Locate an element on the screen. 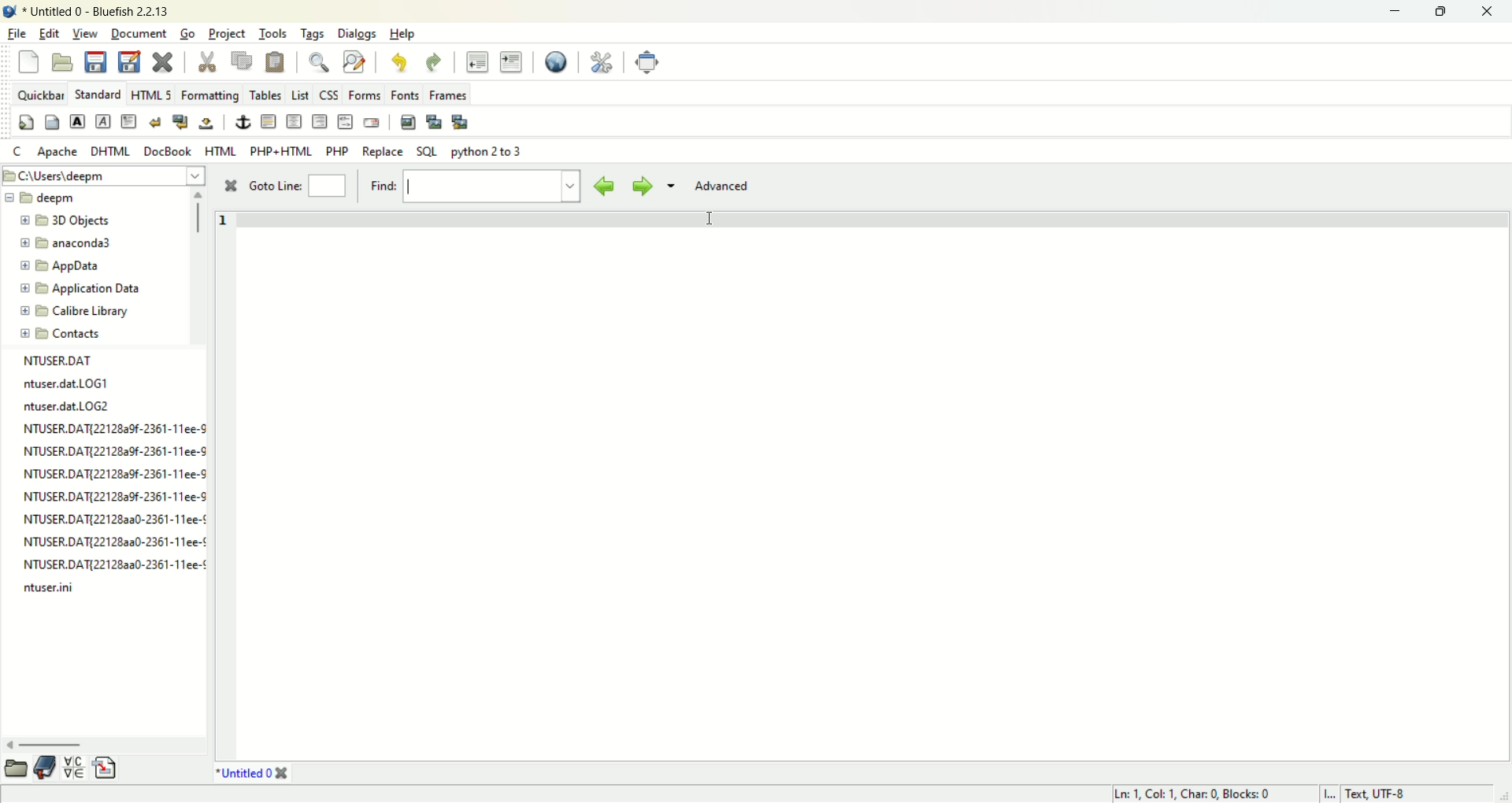 Image resolution: width=1512 pixels, height=803 pixels. show find bar is located at coordinates (320, 61).